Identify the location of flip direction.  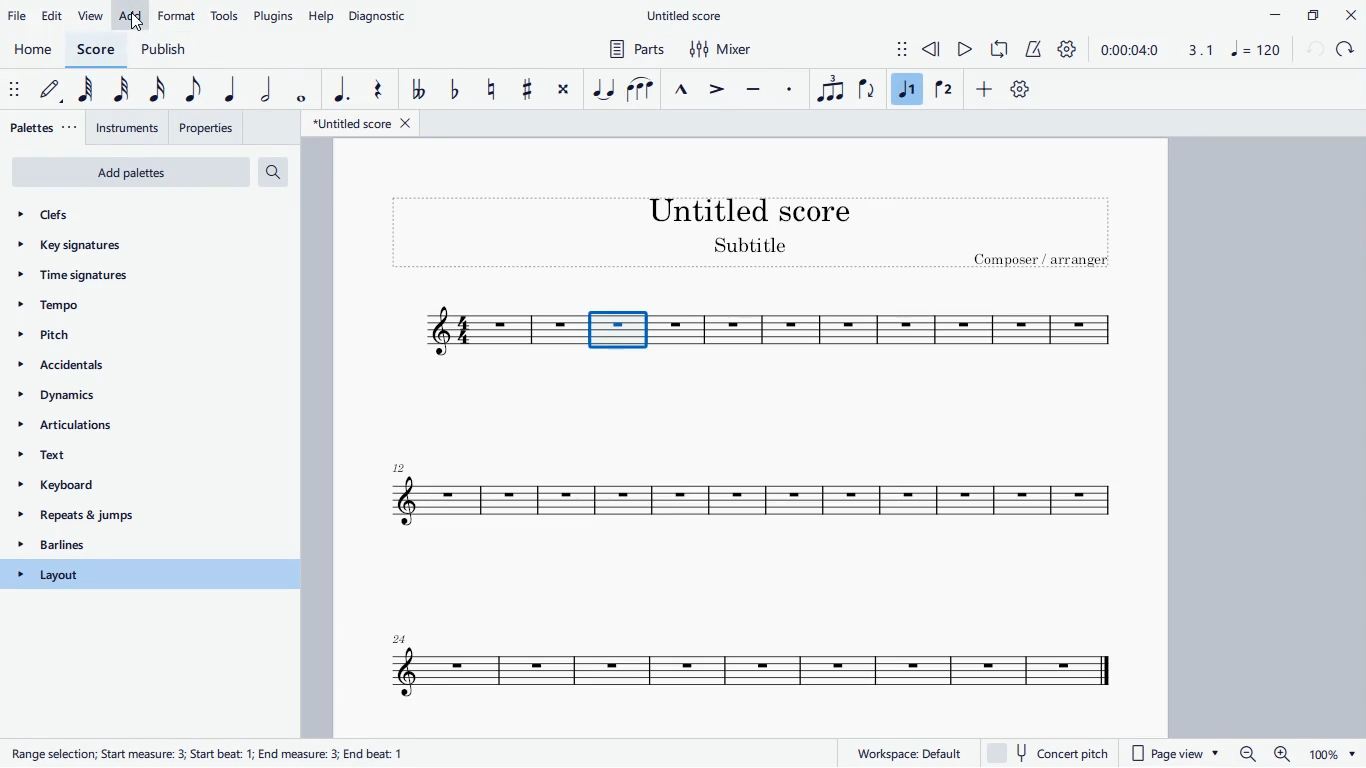
(867, 90).